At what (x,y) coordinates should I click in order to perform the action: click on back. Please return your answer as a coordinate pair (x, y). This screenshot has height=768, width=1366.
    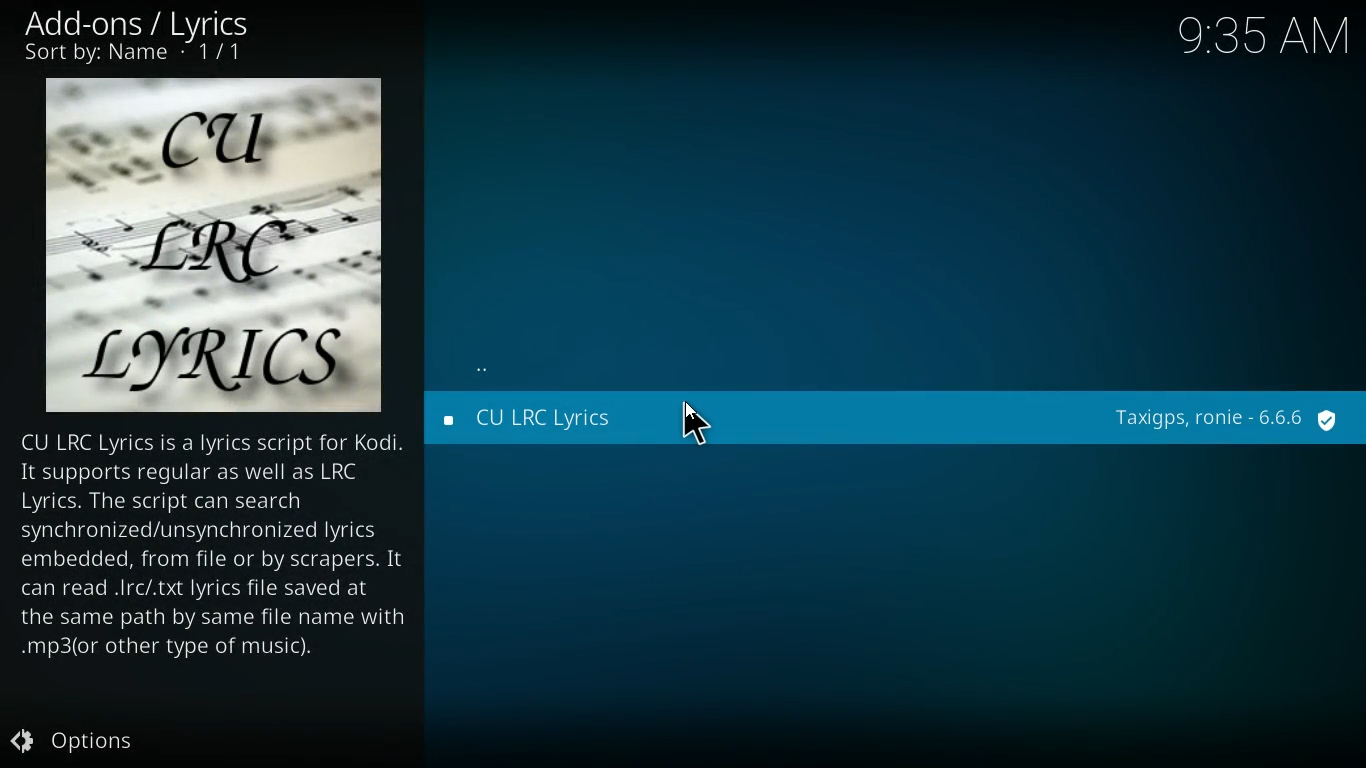
    Looking at the image, I should click on (486, 372).